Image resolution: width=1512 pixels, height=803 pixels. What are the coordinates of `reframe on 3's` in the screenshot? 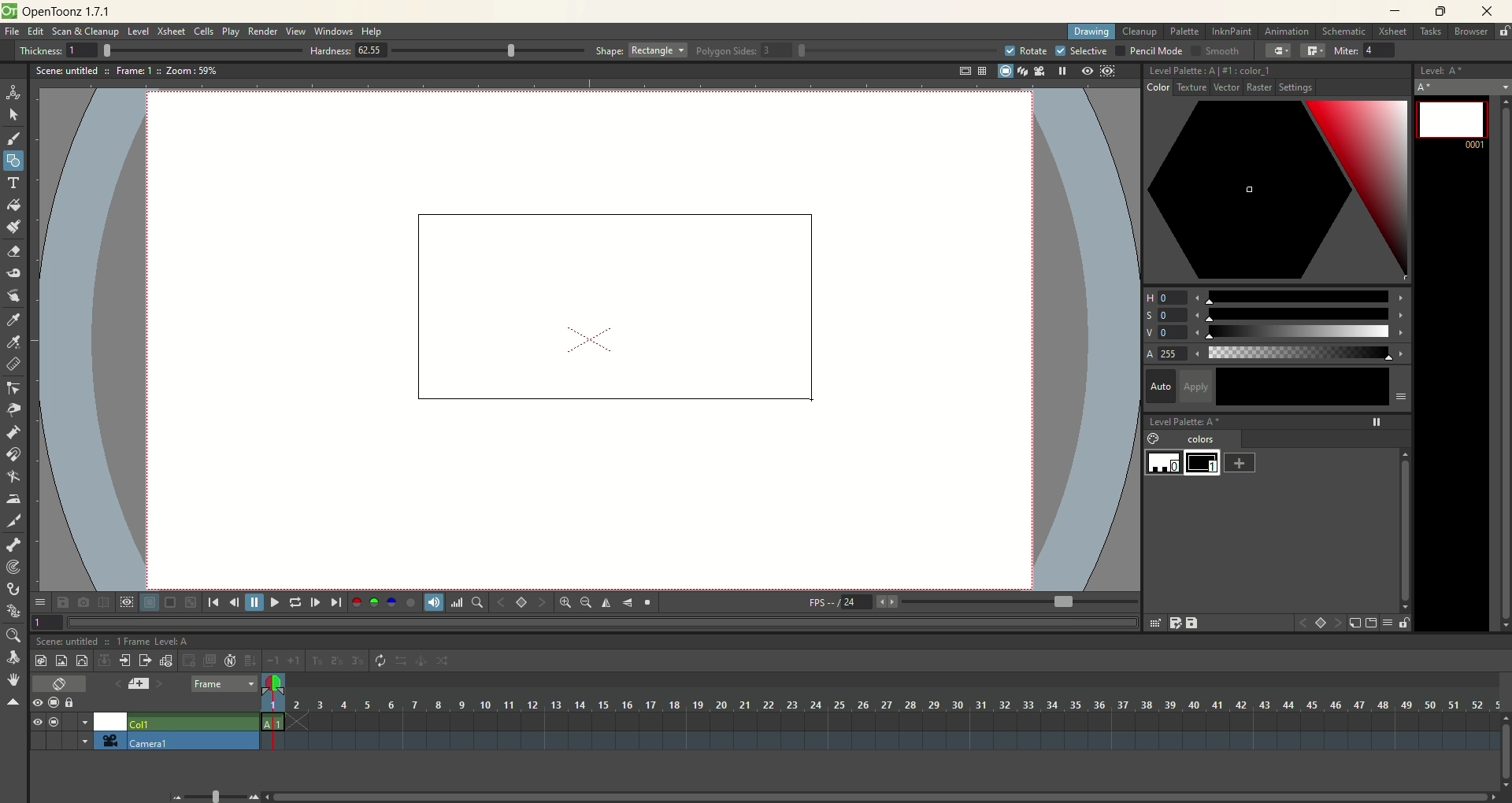 It's located at (358, 661).